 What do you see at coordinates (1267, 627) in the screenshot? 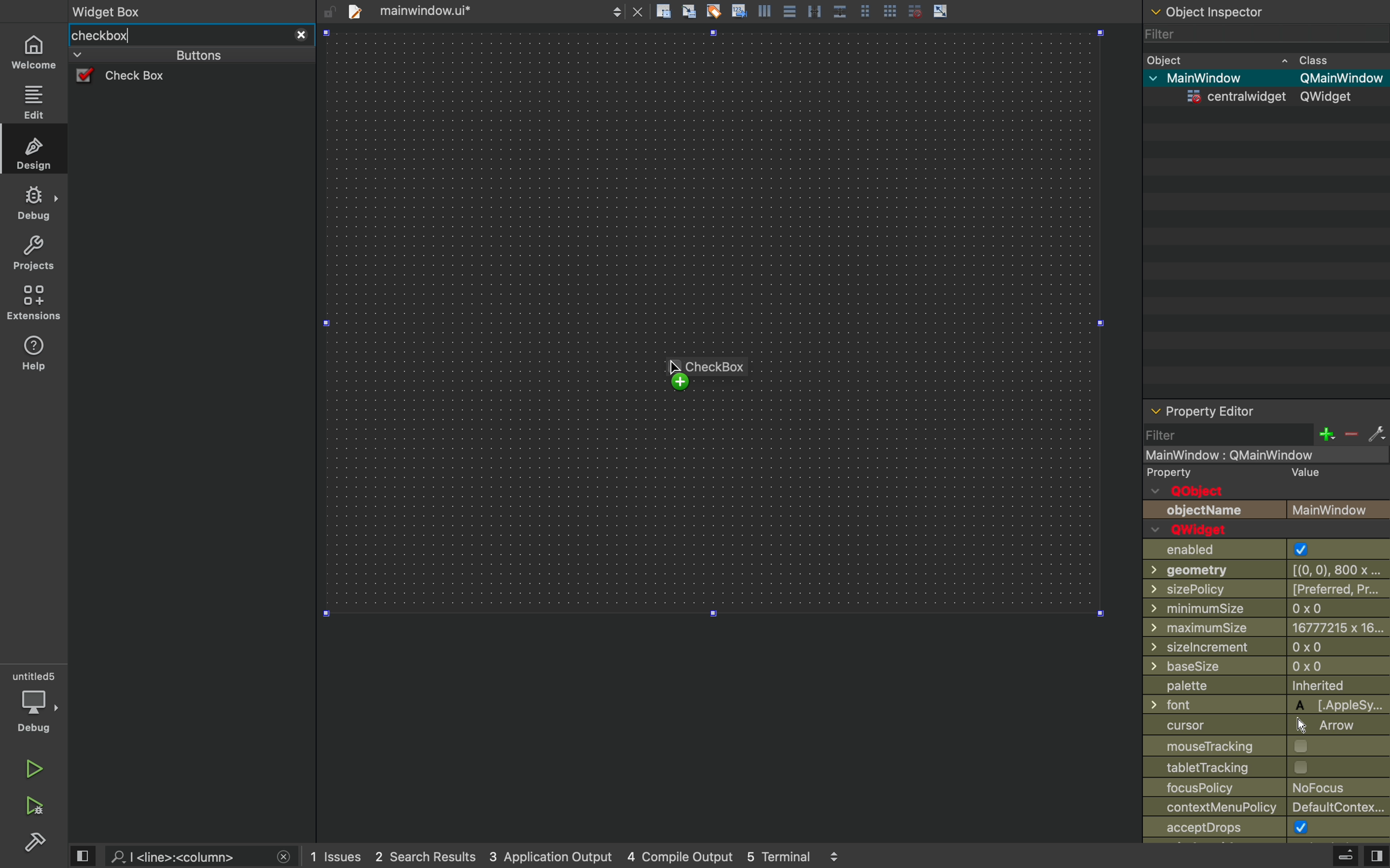
I see `maximum size ` at bounding box center [1267, 627].